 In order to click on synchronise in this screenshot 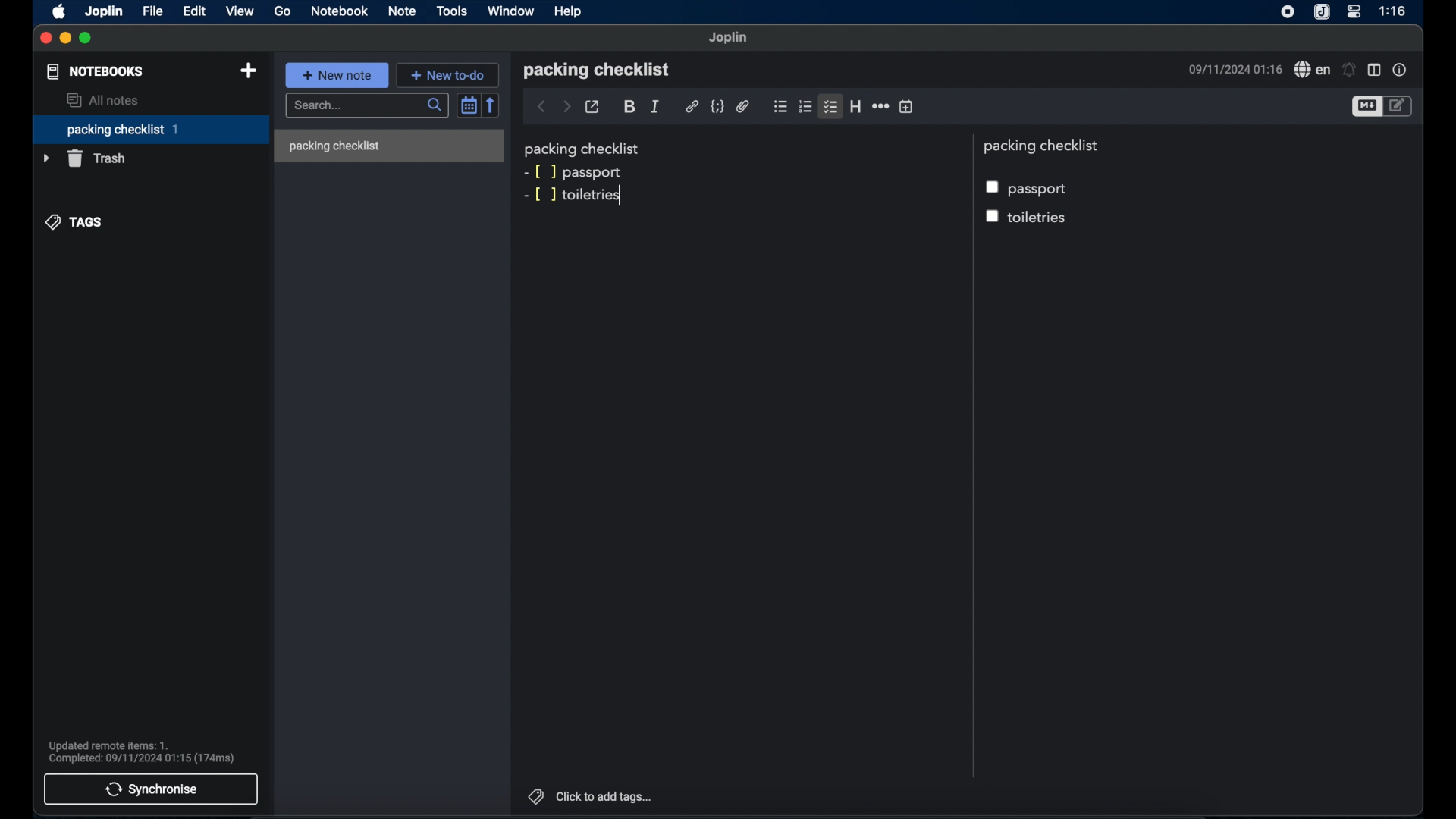, I will do `click(150, 789)`.